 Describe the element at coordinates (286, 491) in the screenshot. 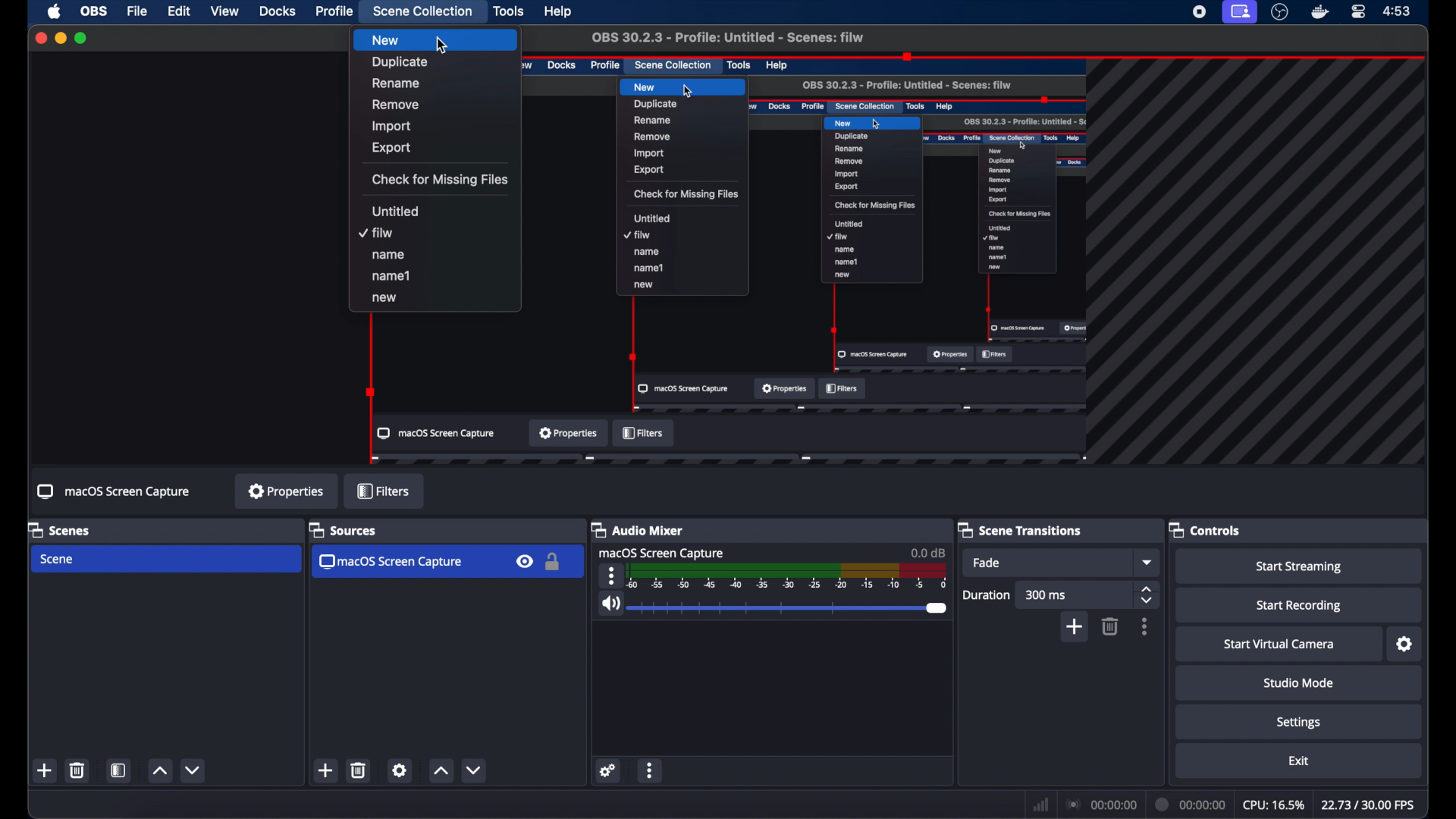

I see `properties` at that location.